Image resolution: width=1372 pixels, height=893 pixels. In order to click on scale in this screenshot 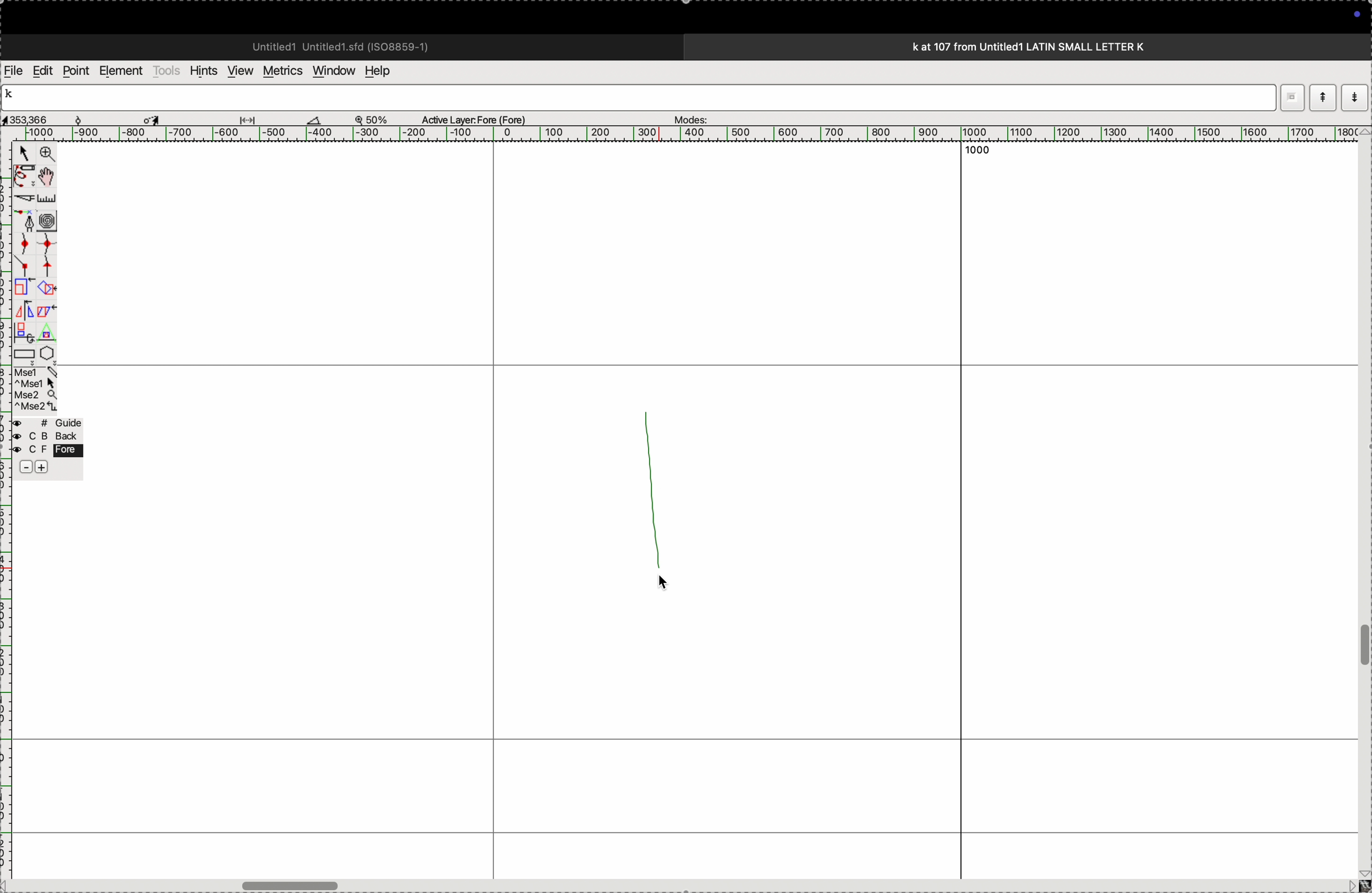, I will do `click(49, 198)`.